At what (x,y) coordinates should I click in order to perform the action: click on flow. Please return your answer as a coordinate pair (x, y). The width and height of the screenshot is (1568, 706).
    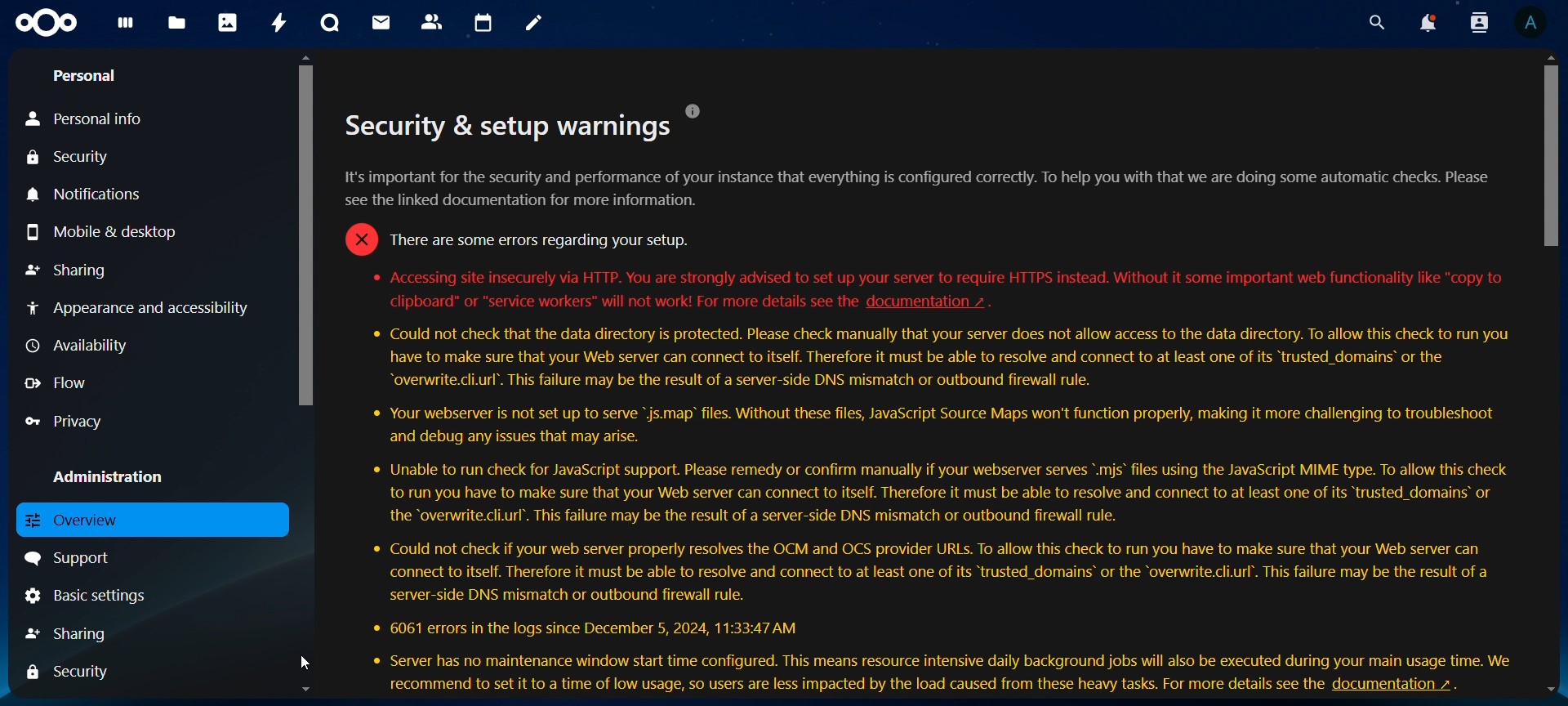
    Looking at the image, I should click on (54, 385).